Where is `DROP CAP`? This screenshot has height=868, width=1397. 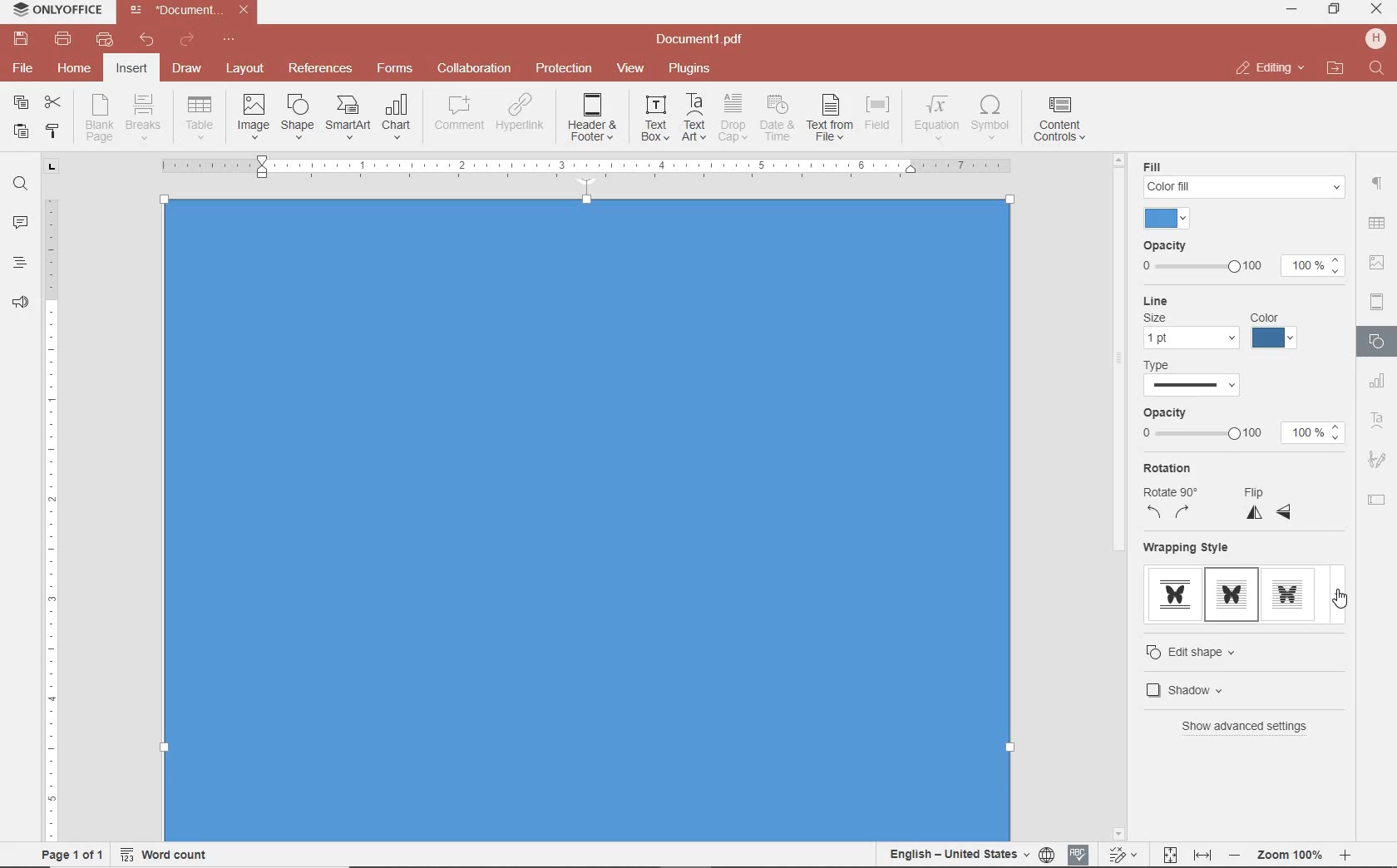 DROP CAP is located at coordinates (733, 118).